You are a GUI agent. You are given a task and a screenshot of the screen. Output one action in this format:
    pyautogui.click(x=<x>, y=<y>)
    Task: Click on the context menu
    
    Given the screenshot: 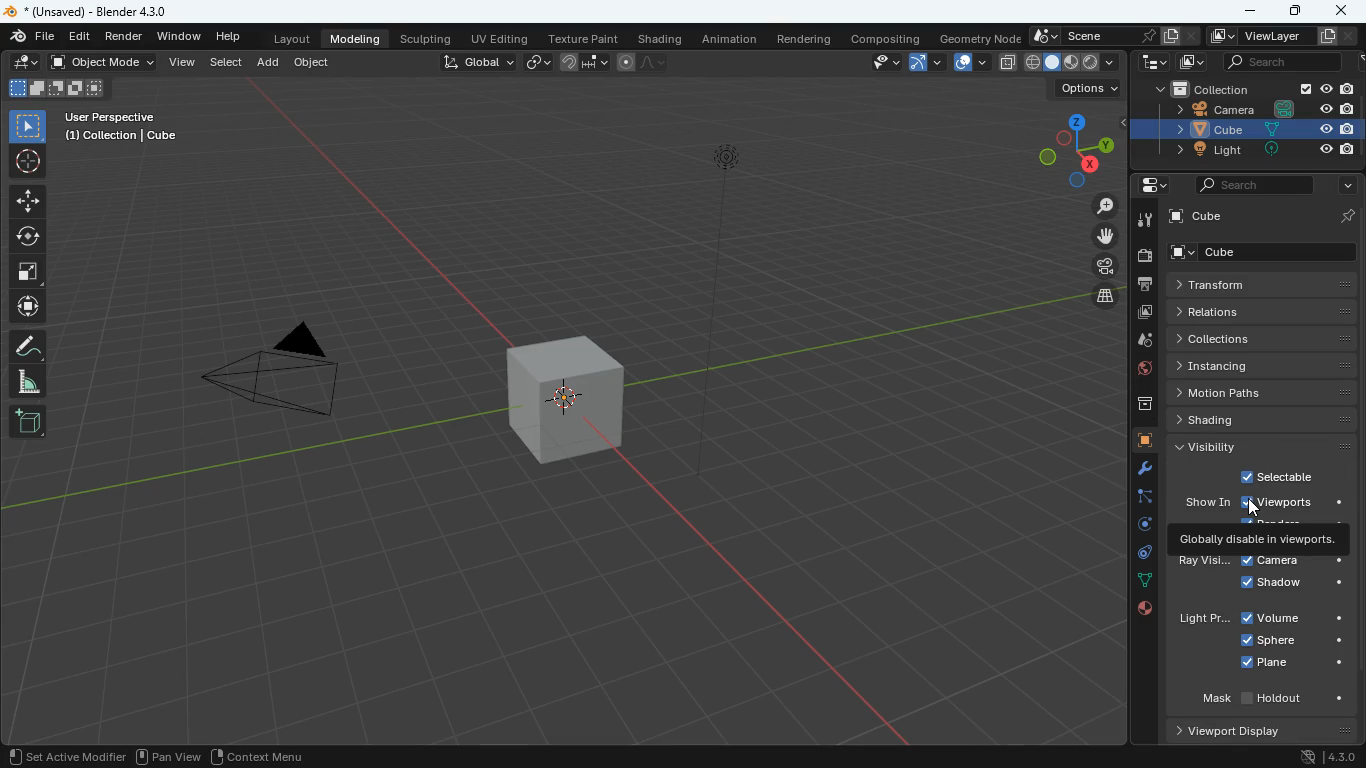 What is the action you would take?
    pyautogui.click(x=258, y=754)
    